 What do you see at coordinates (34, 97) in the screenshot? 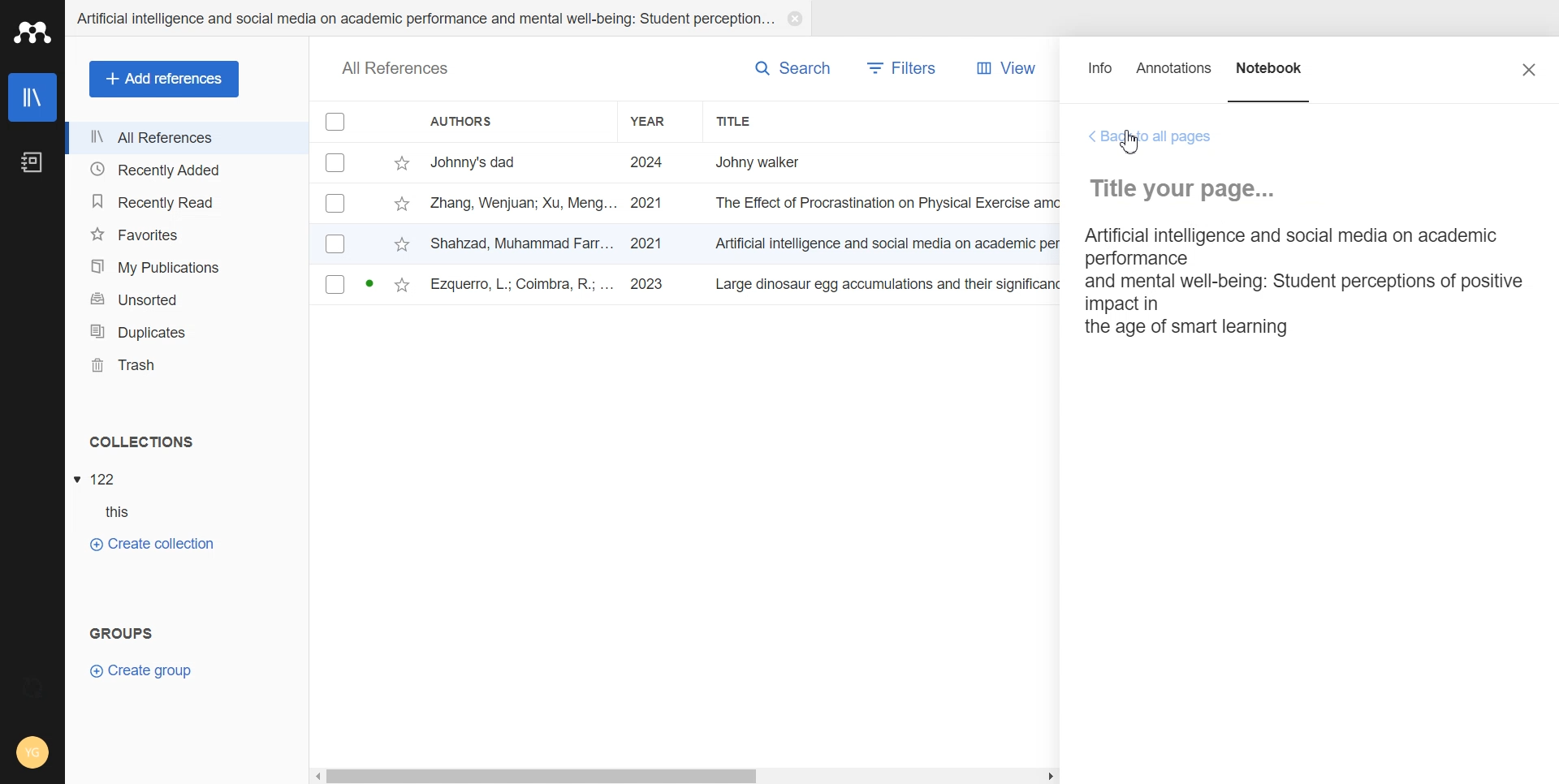
I see `Library` at bounding box center [34, 97].